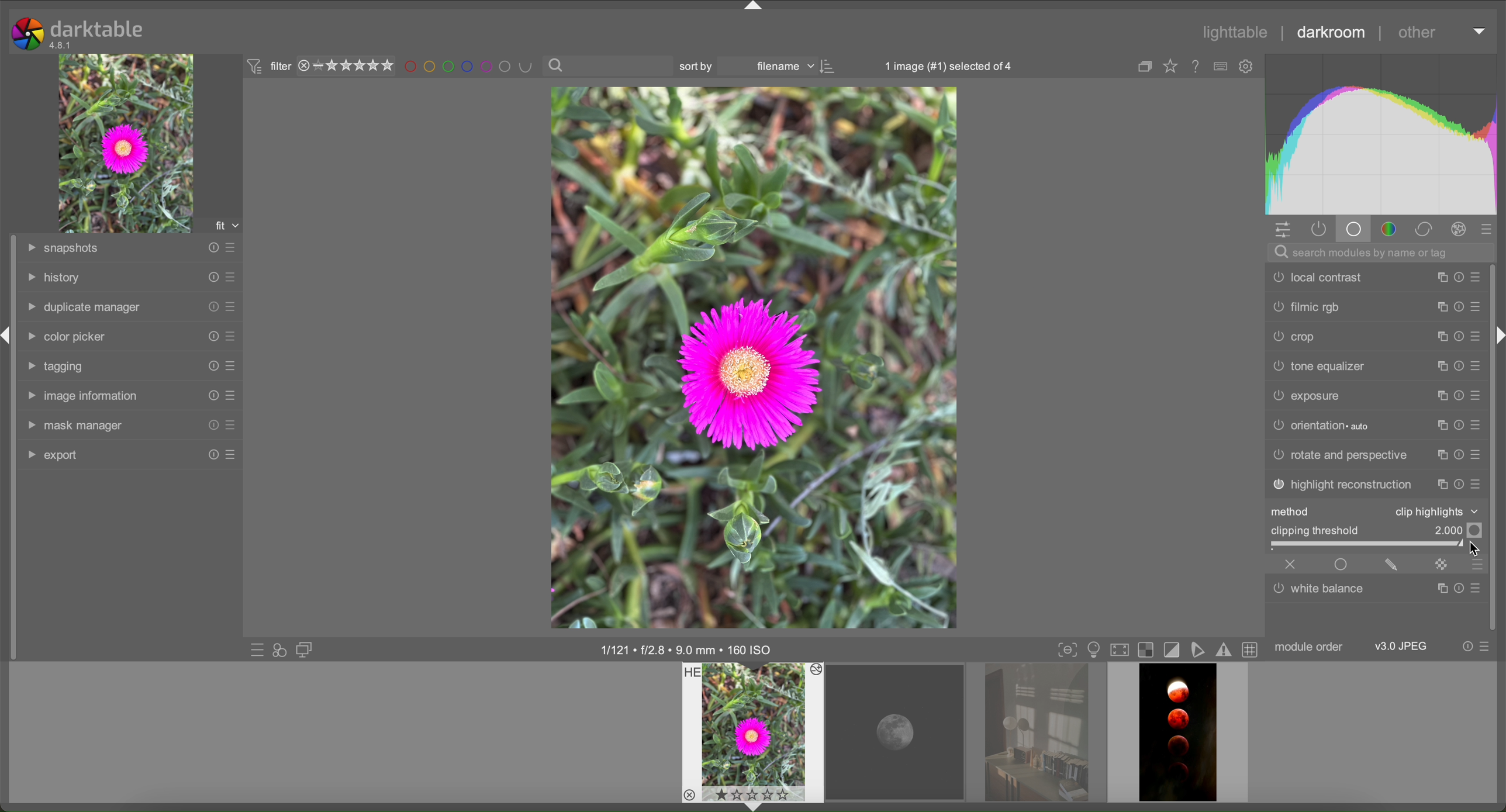  What do you see at coordinates (1321, 592) in the screenshot?
I see `white balance` at bounding box center [1321, 592].